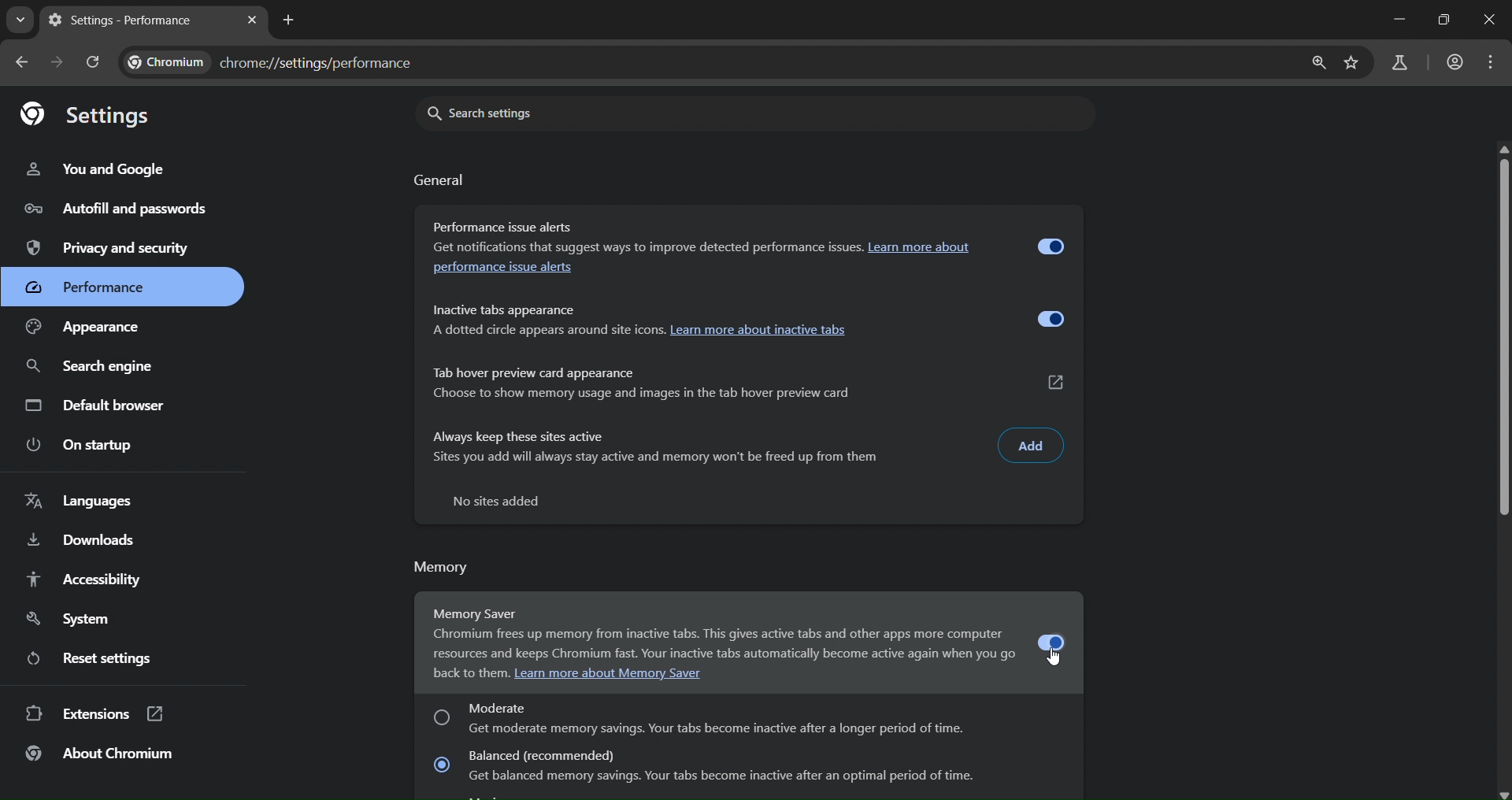 This screenshot has width=1512, height=800. What do you see at coordinates (1444, 20) in the screenshot?
I see `restore down` at bounding box center [1444, 20].